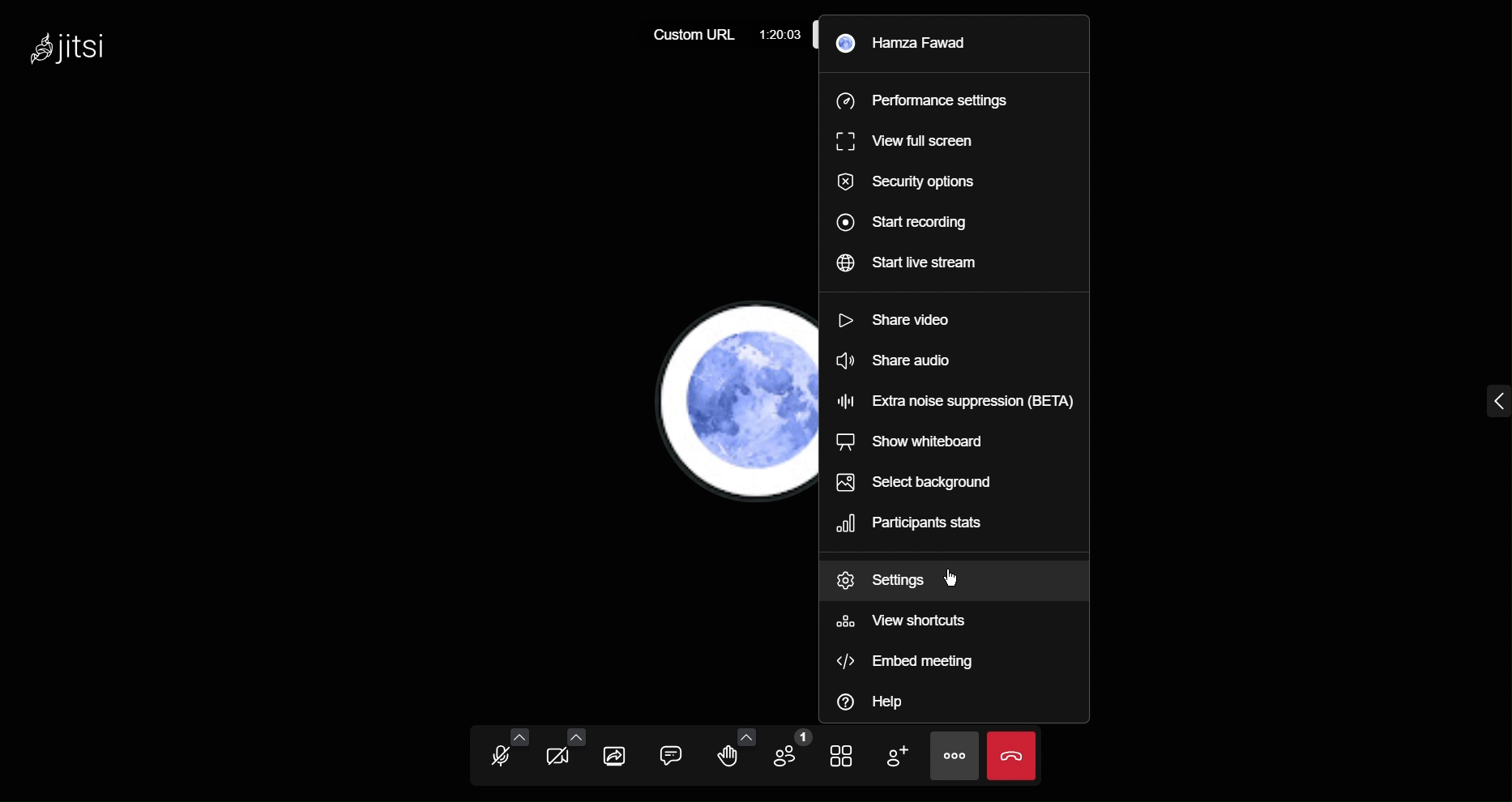  I want to click on Start live stream, so click(917, 262).